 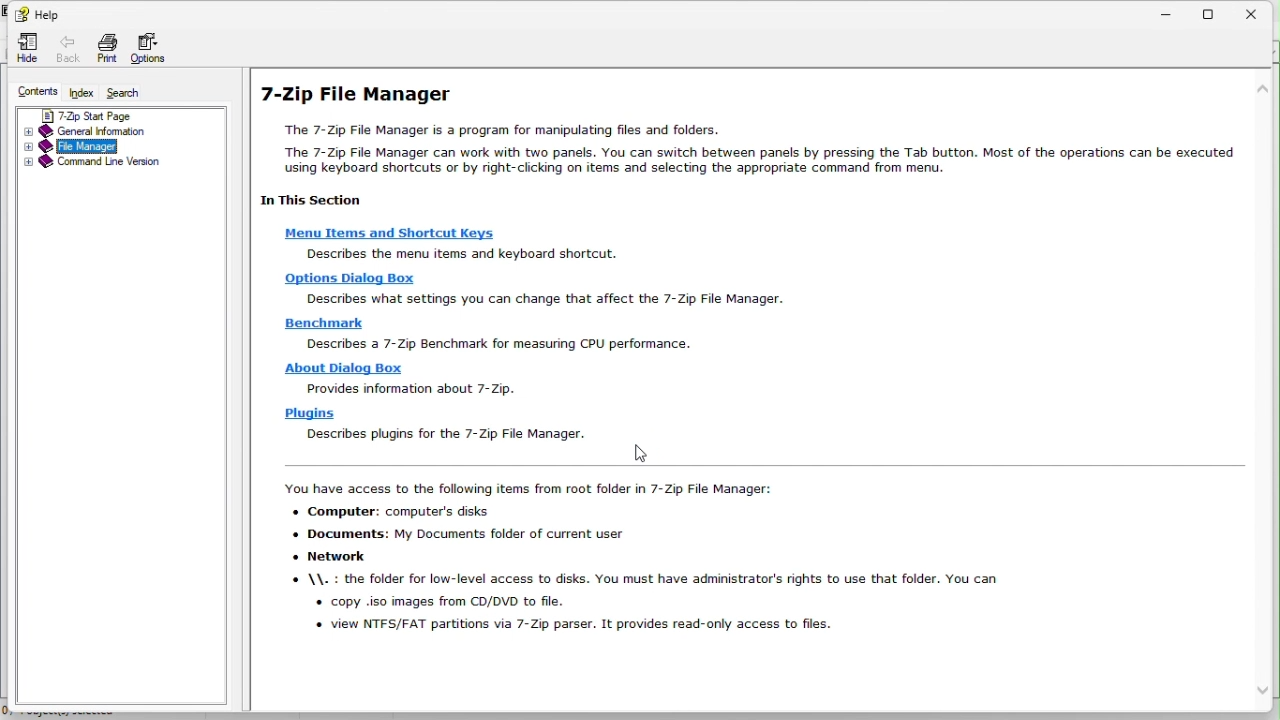 I want to click on Search bar, so click(x=129, y=95).